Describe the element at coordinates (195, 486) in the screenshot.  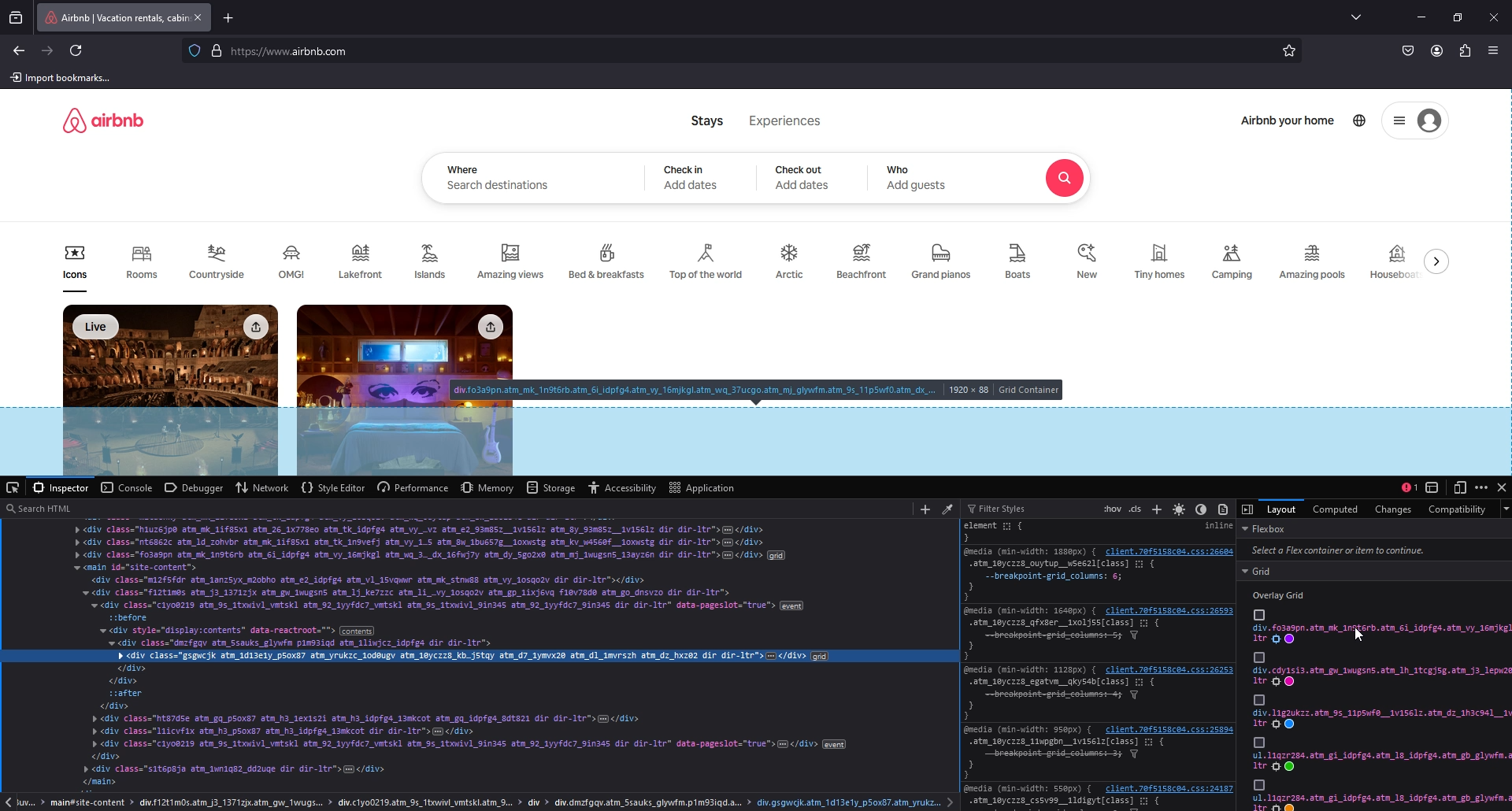
I see `debugger` at that location.